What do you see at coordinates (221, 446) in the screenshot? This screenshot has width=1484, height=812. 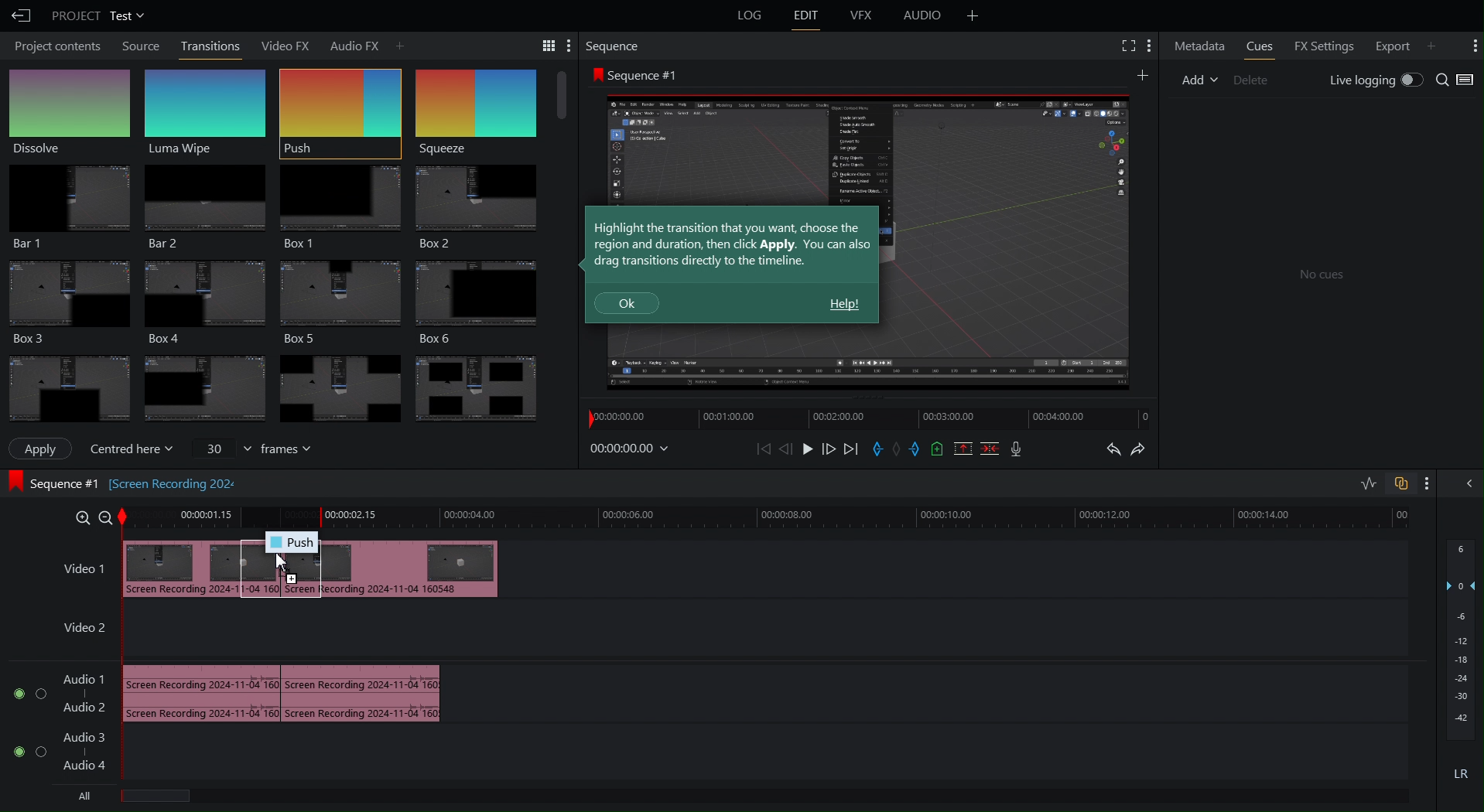 I see `value` at bounding box center [221, 446].